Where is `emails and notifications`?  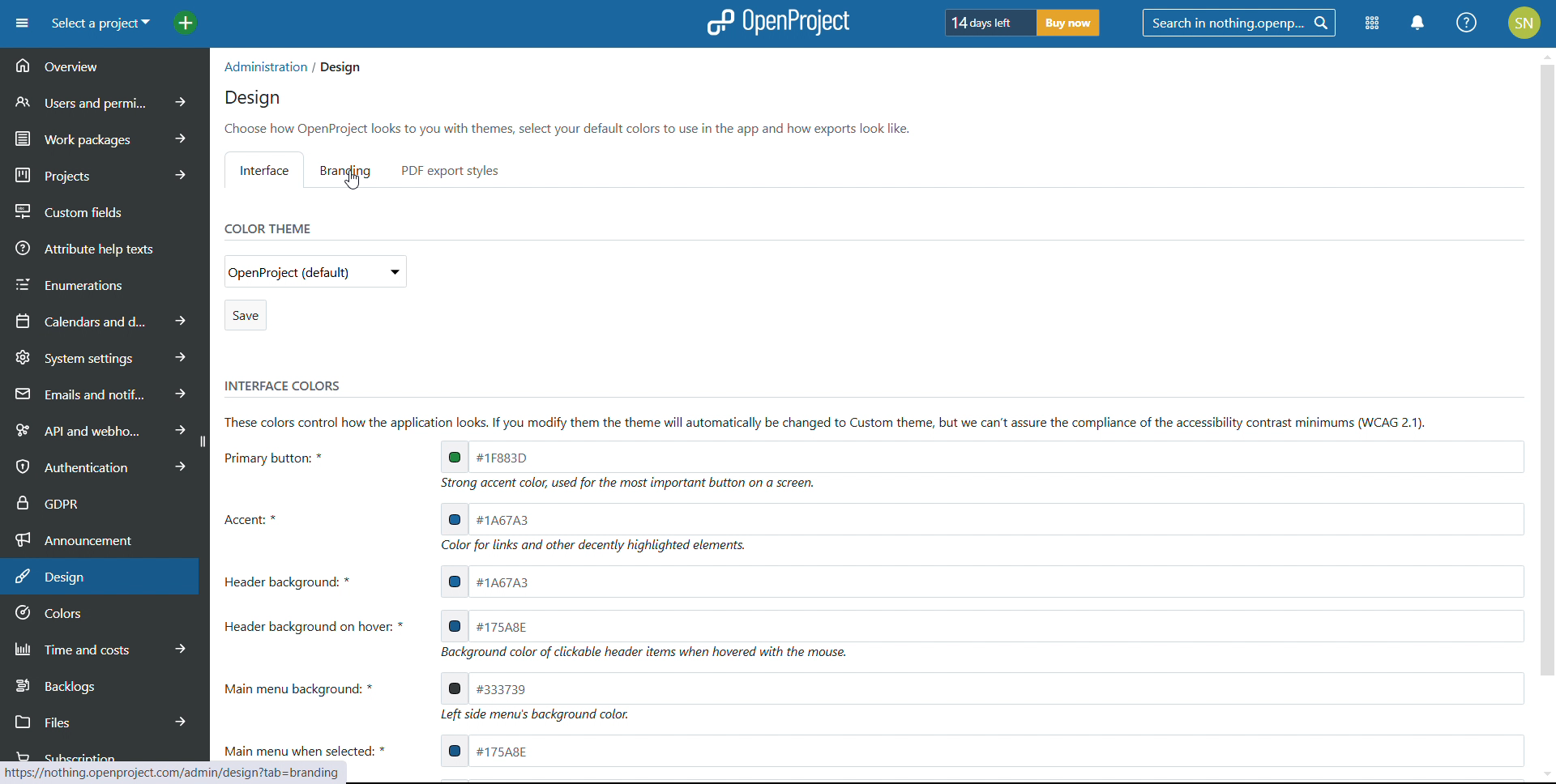 emails and notifications is located at coordinates (101, 393).